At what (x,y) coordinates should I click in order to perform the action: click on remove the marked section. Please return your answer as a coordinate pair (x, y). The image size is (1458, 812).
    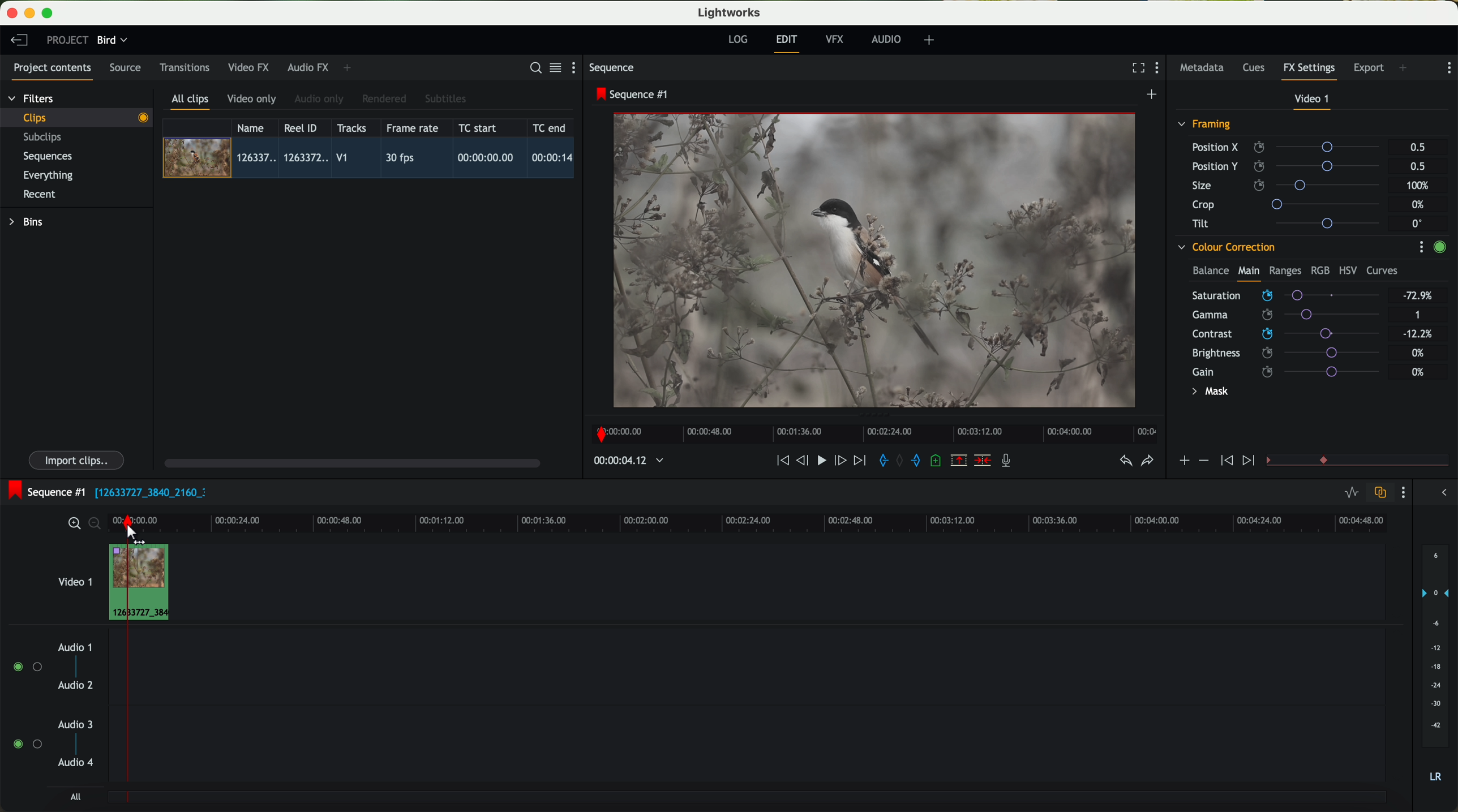
    Looking at the image, I should click on (960, 461).